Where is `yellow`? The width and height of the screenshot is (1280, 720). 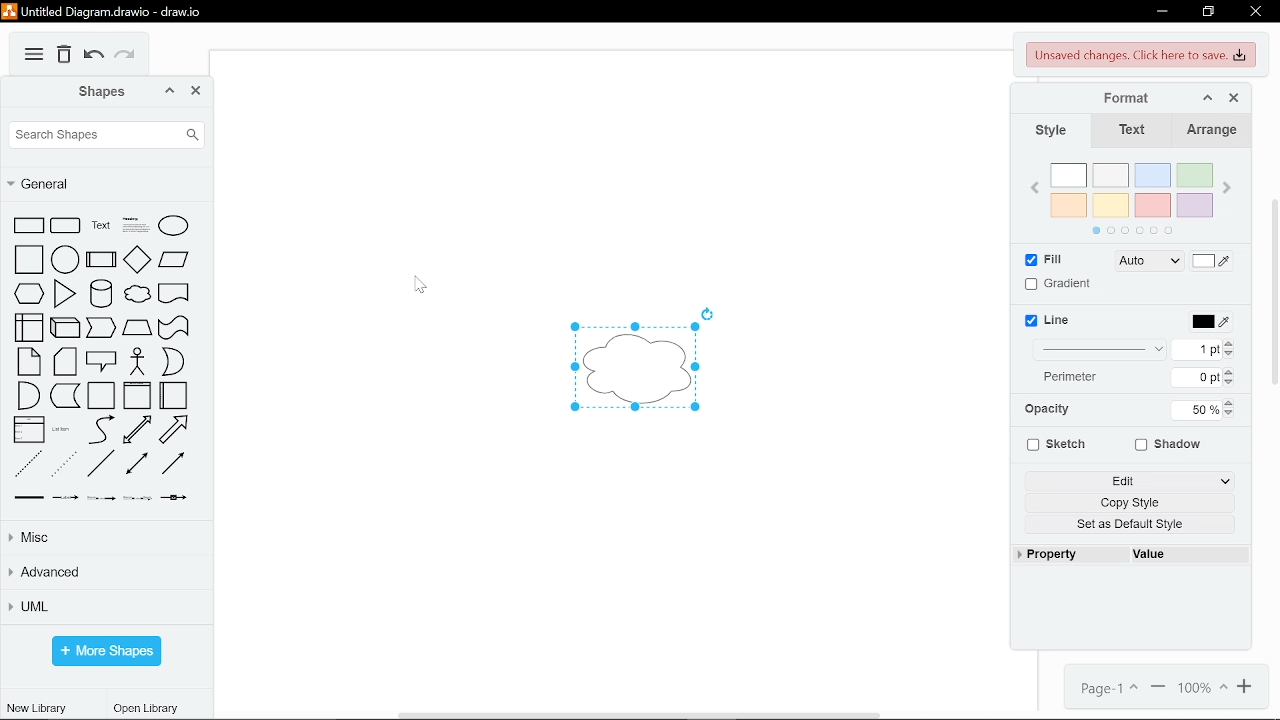 yellow is located at coordinates (1110, 205).